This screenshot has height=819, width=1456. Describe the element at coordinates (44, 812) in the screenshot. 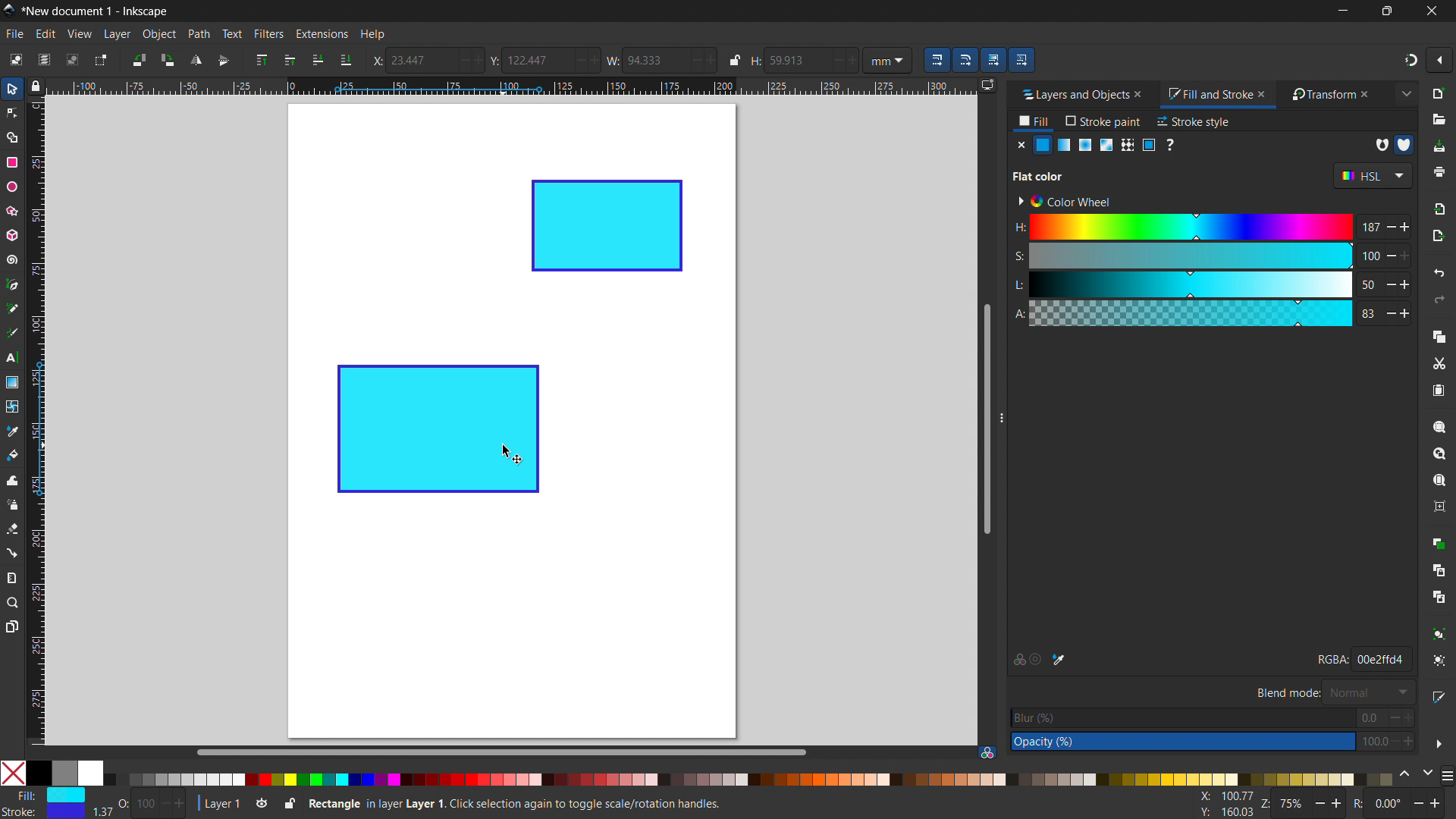

I see `Stroke` at that location.